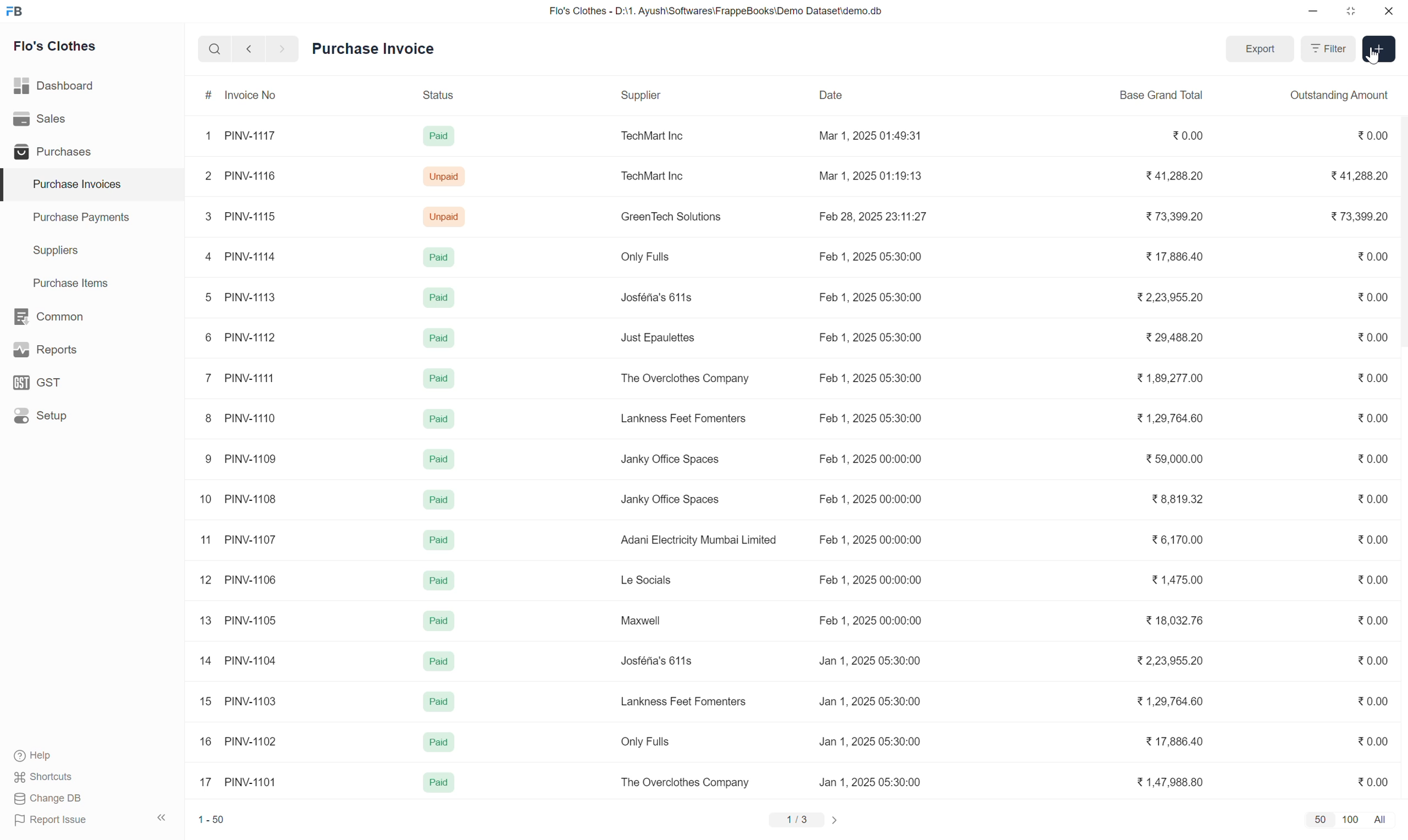 This screenshot has height=840, width=1408. What do you see at coordinates (684, 379) in the screenshot?
I see `The Overclothes Company` at bounding box center [684, 379].